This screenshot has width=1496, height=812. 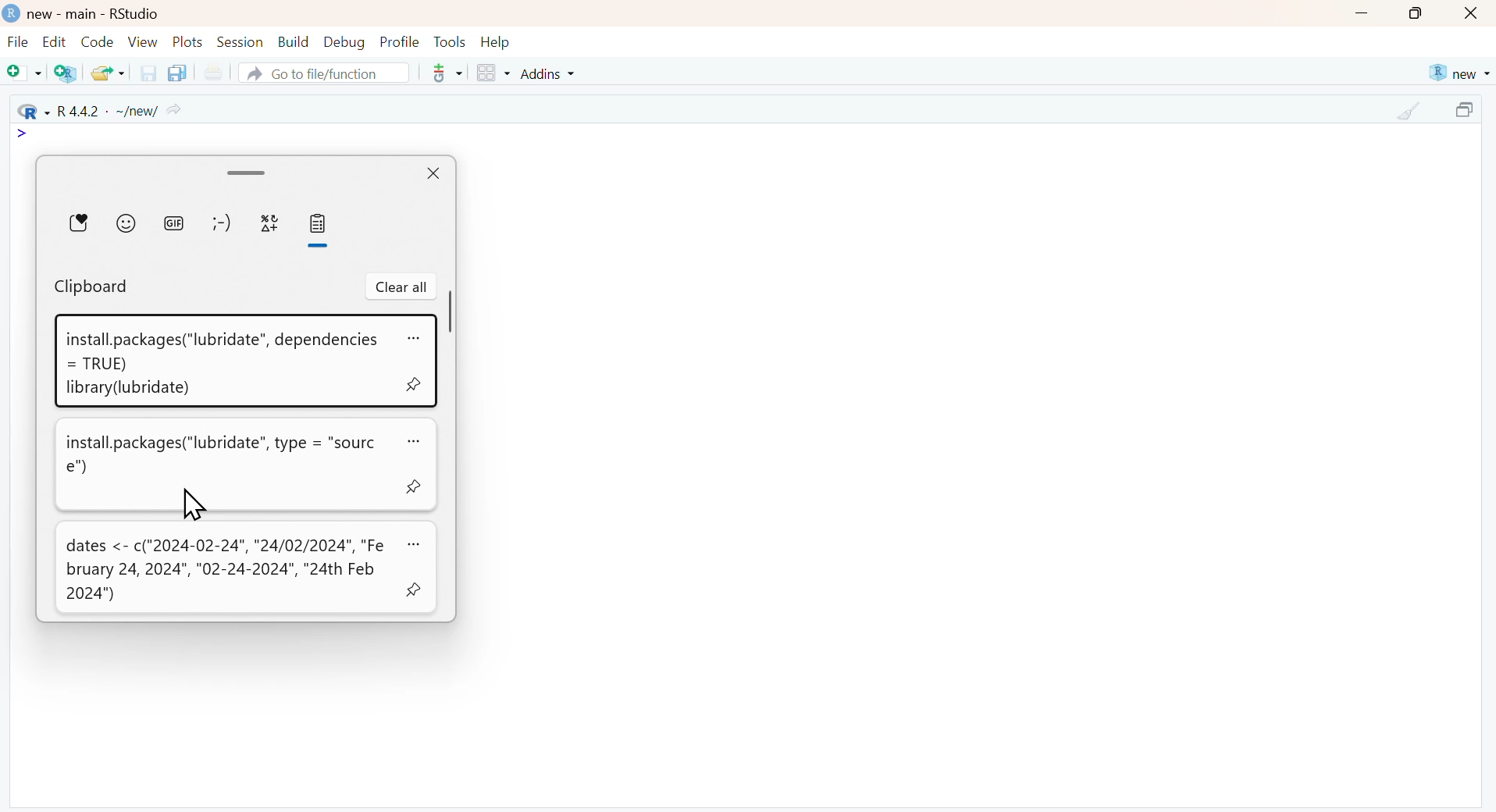 I want to click on Plots, so click(x=188, y=41).